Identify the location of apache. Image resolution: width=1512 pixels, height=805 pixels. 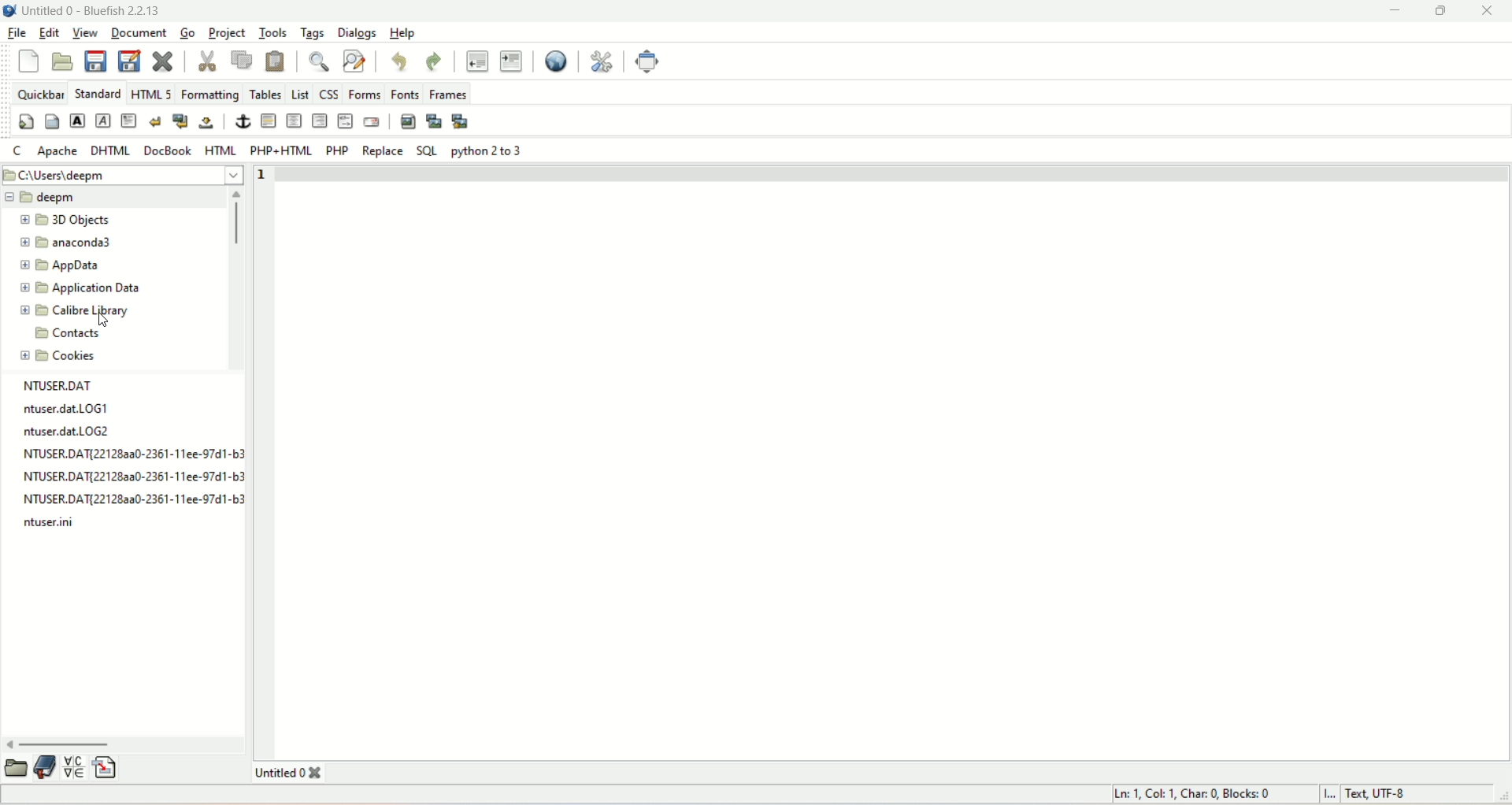
(58, 150).